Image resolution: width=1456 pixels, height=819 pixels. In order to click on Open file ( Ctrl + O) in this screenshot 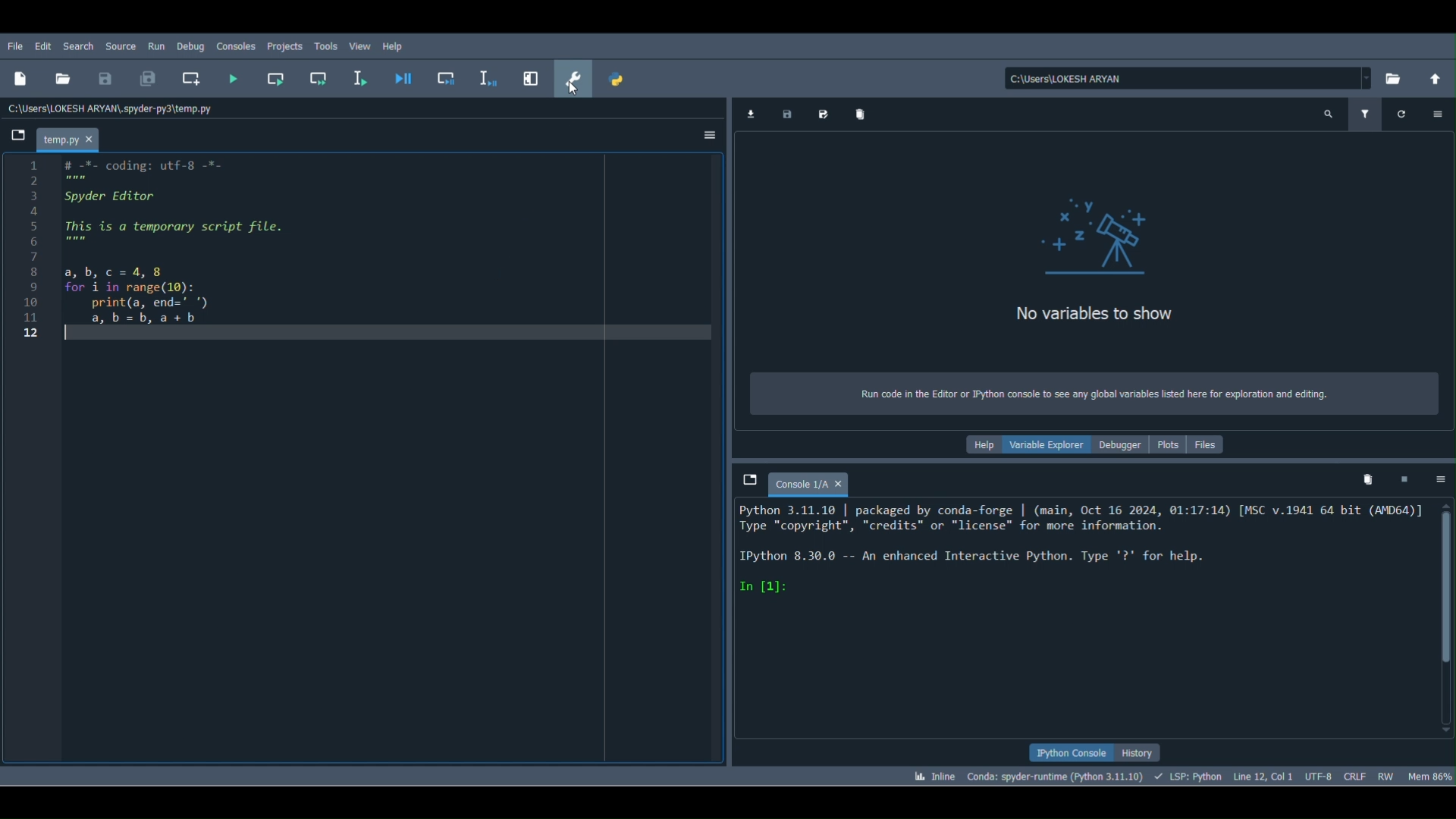, I will do `click(62, 79)`.